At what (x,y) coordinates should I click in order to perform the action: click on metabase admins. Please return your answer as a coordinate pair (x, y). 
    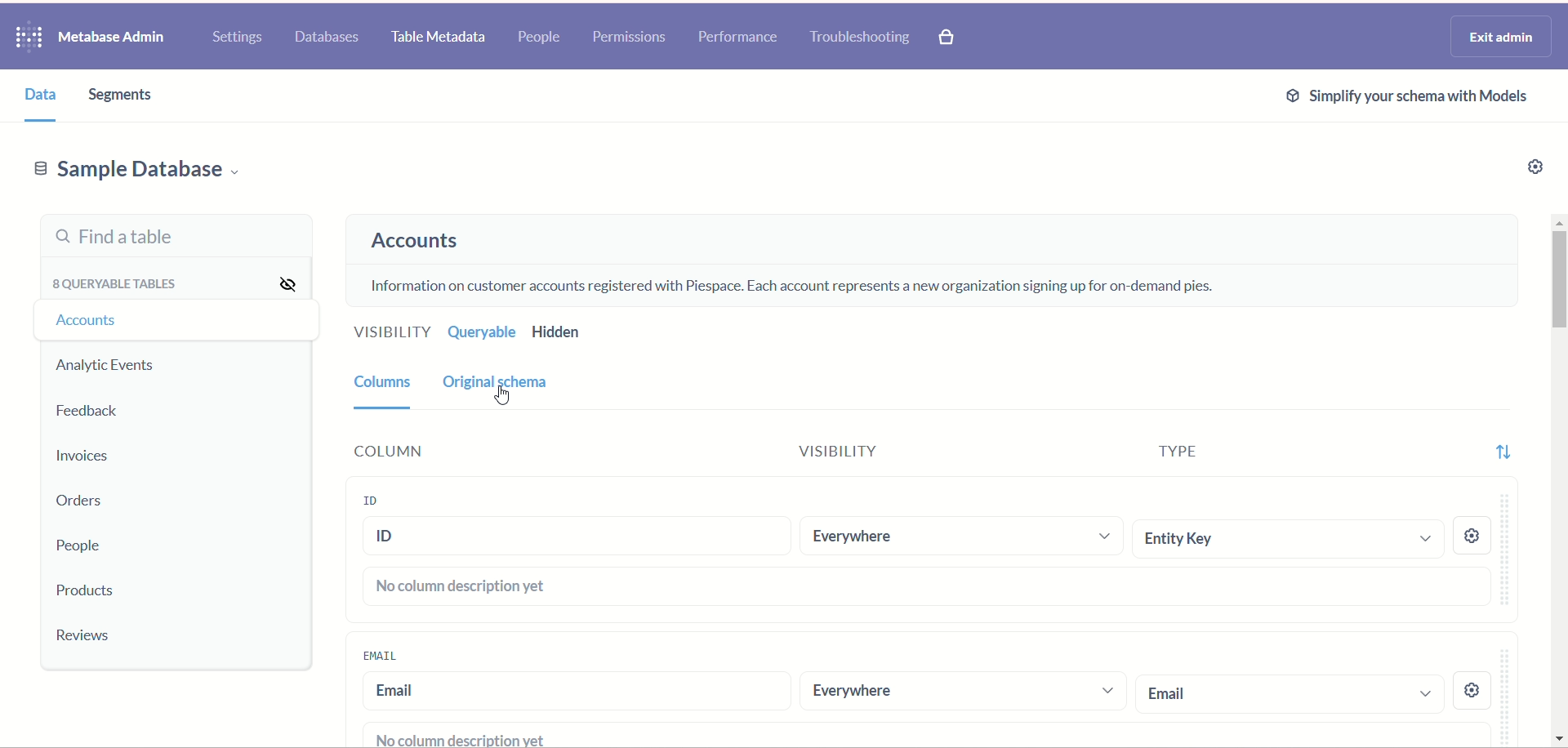
    Looking at the image, I should click on (111, 38).